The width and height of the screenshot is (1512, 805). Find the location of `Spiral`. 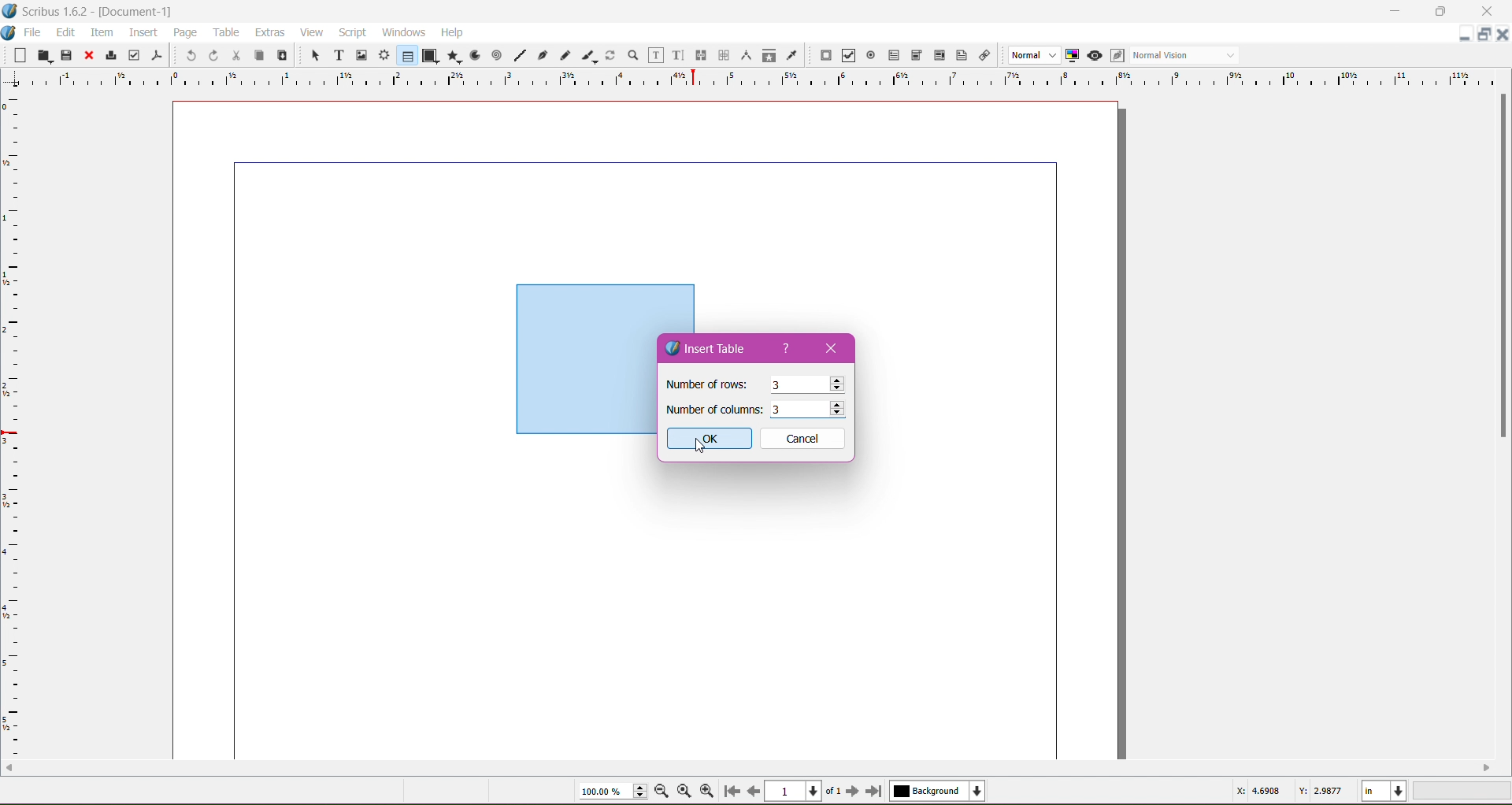

Spiral is located at coordinates (495, 54).